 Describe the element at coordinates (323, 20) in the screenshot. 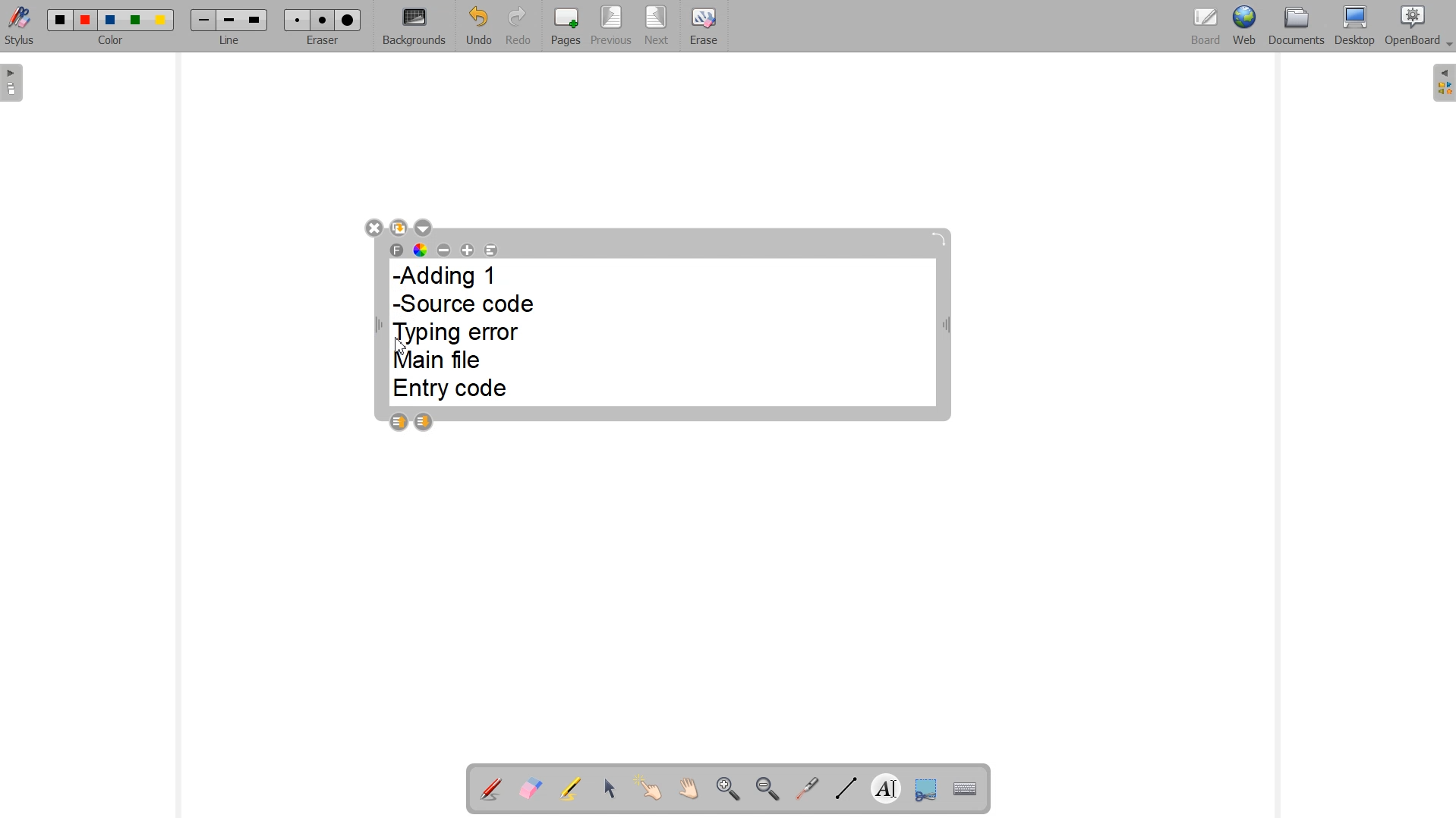

I see `Medium eraser` at that location.